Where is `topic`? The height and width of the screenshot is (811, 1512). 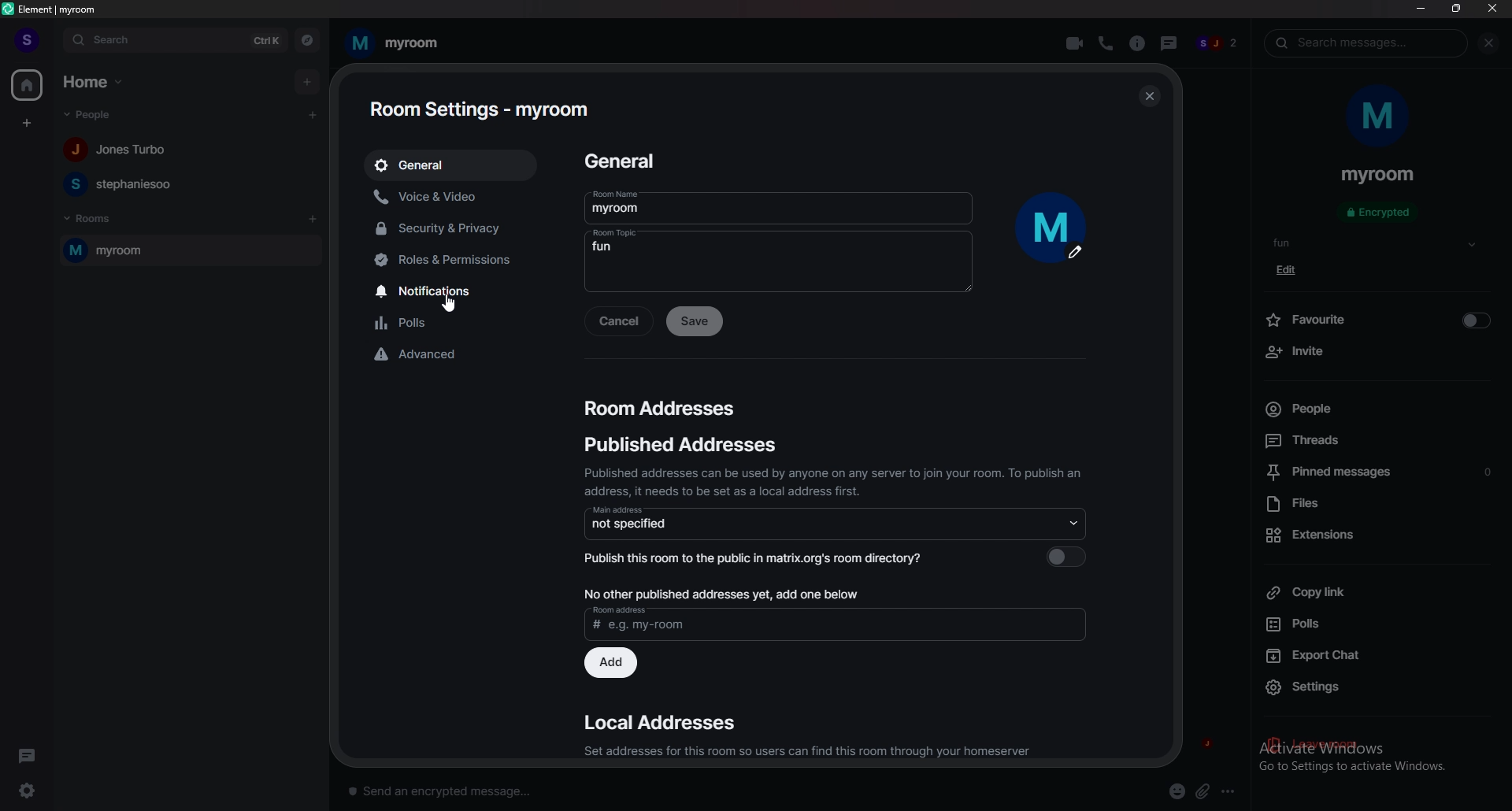 topic is located at coordinates (1294, 243).